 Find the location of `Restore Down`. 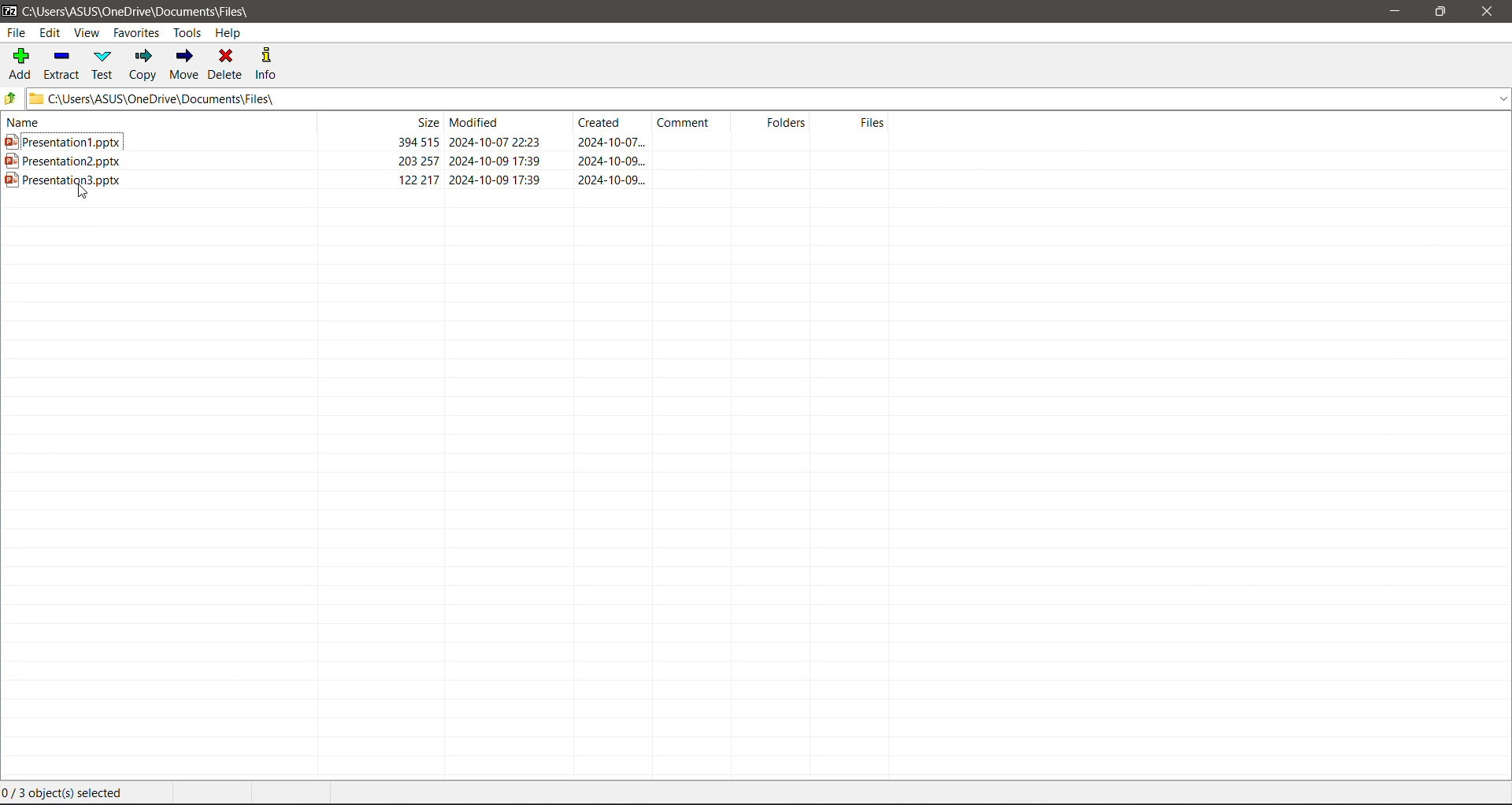

Restore Down is located at coordinates (1441, 10).